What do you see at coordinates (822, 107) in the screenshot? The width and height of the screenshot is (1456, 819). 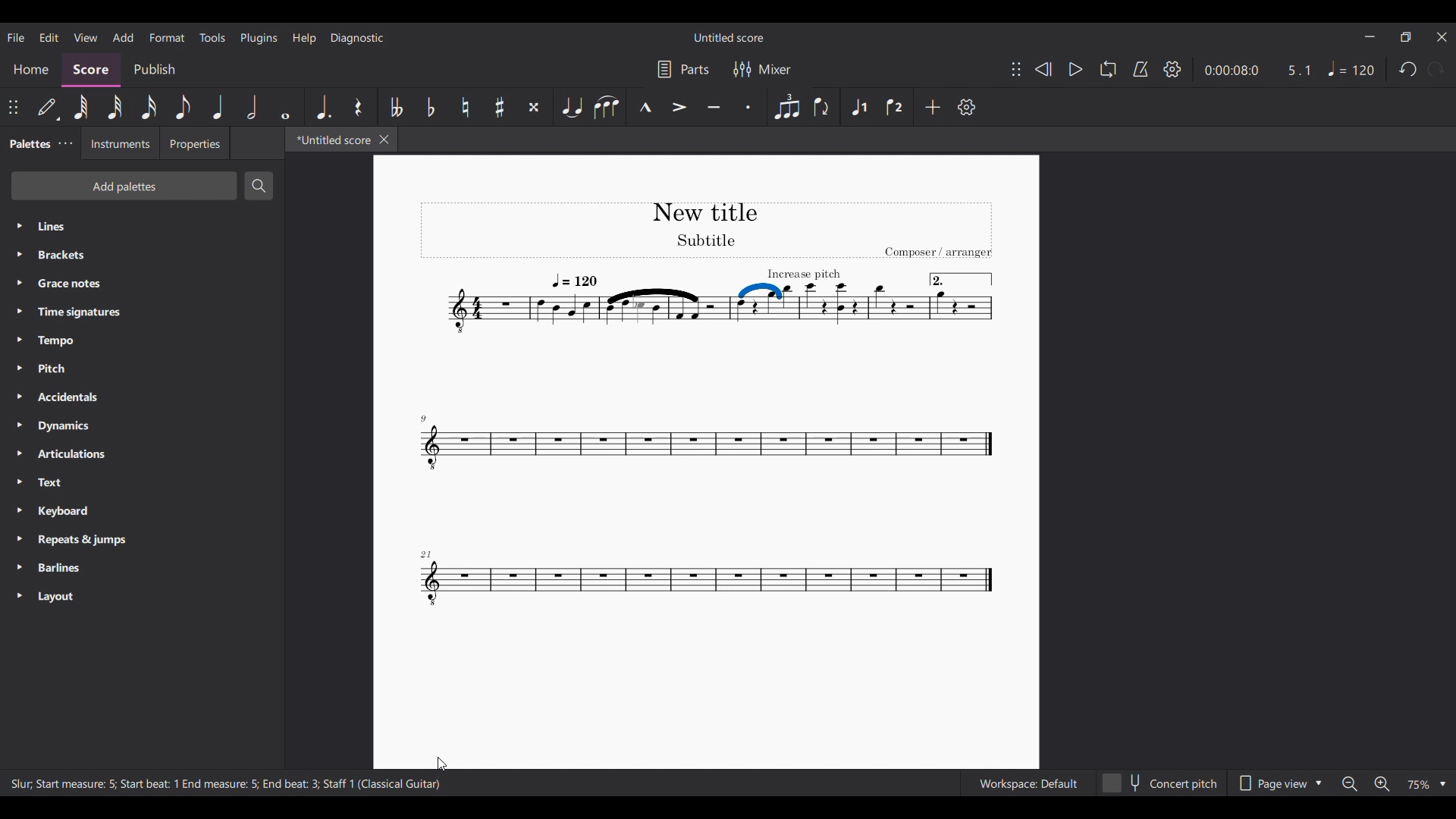 I see `Flip direction` at bounding box center [822, 107].